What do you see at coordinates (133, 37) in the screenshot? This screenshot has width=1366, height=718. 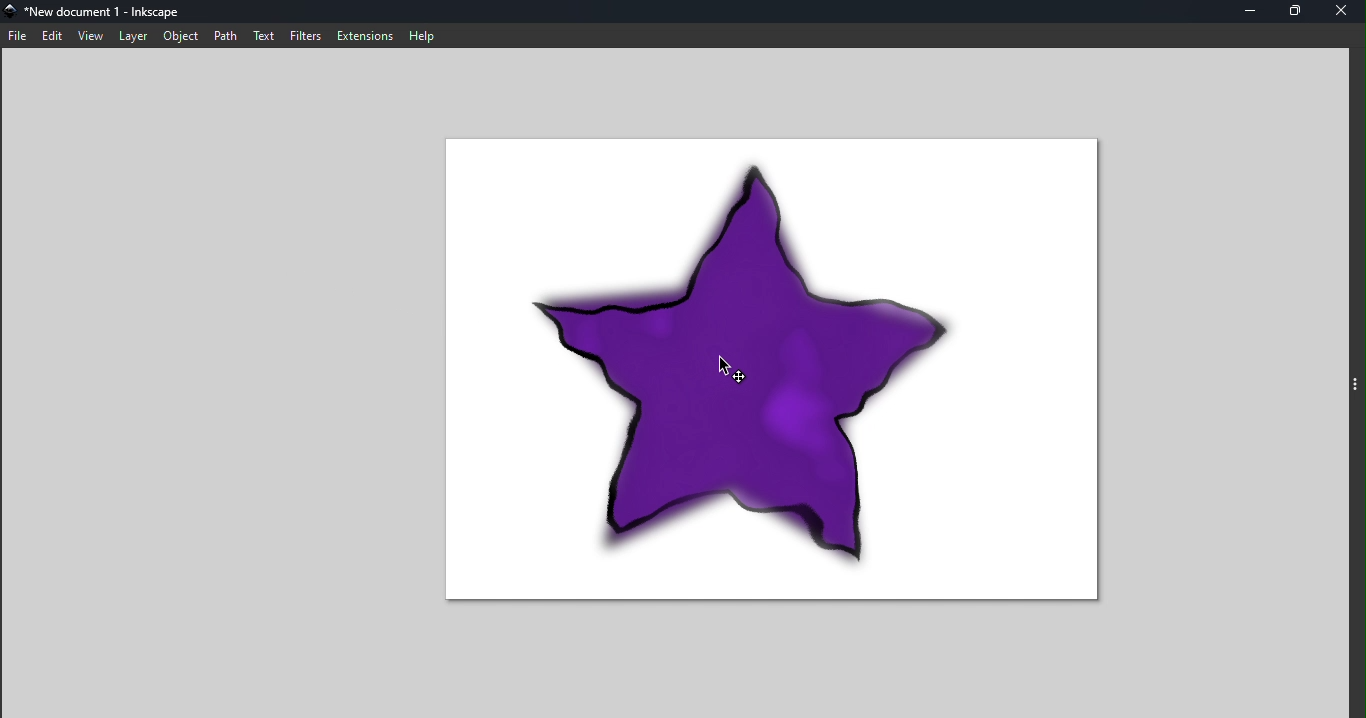 I see `Layer` at bounding box center [133, 37].